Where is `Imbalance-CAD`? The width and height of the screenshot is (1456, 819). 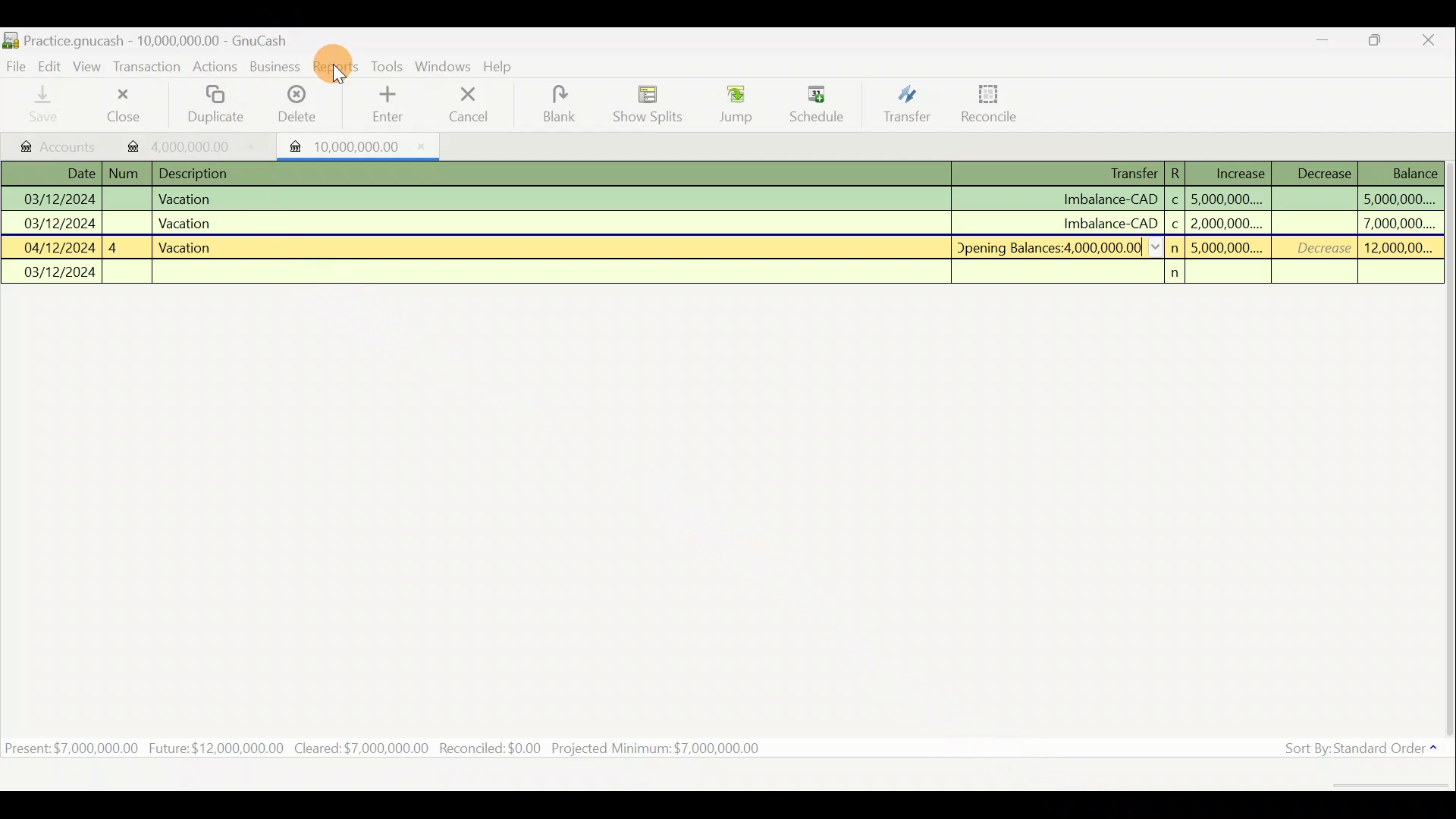 Imbalance-CAD is located at coordinates (1109, 224).